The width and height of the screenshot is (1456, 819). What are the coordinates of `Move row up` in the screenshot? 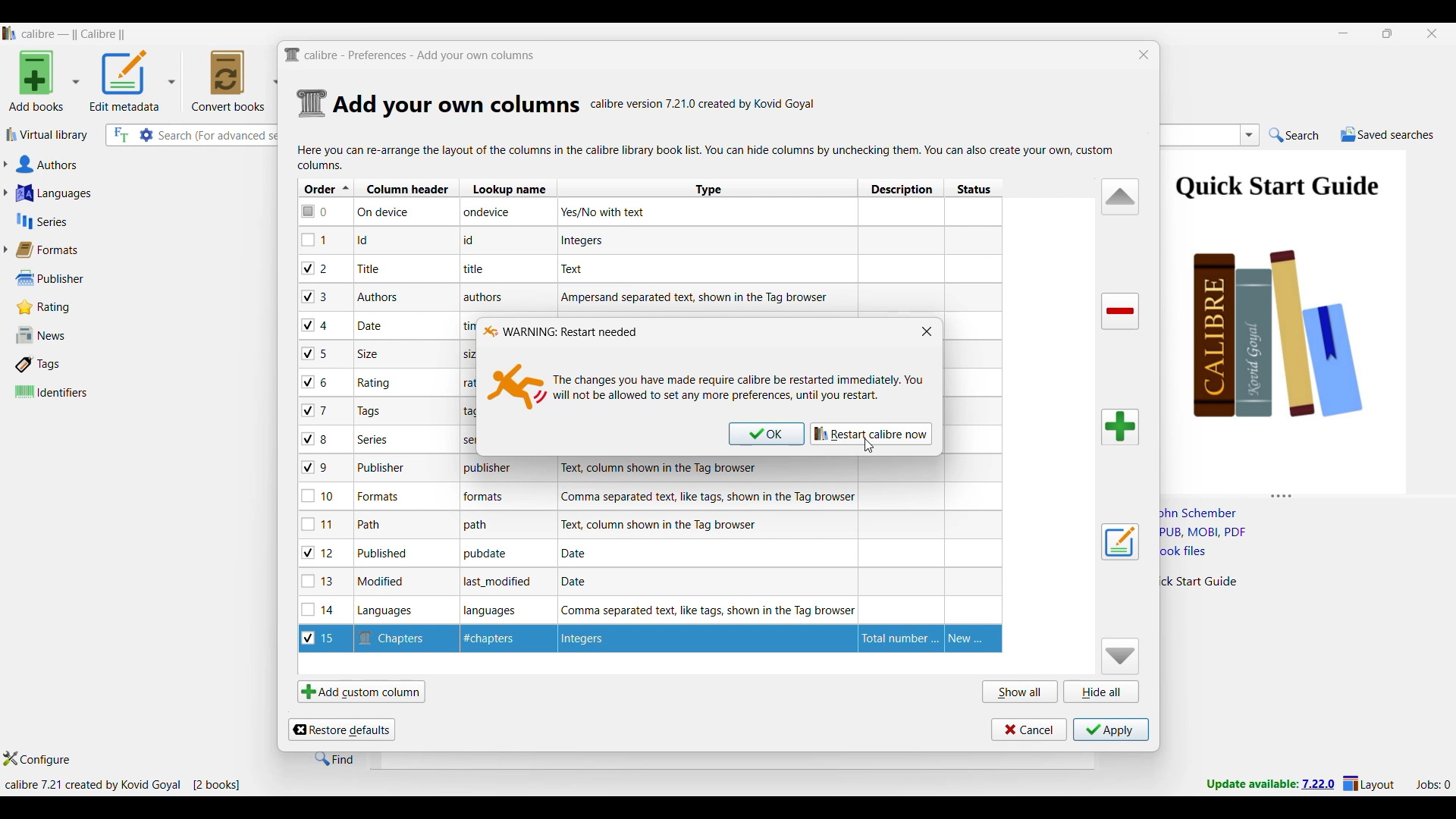 It's located at (1121, 196).